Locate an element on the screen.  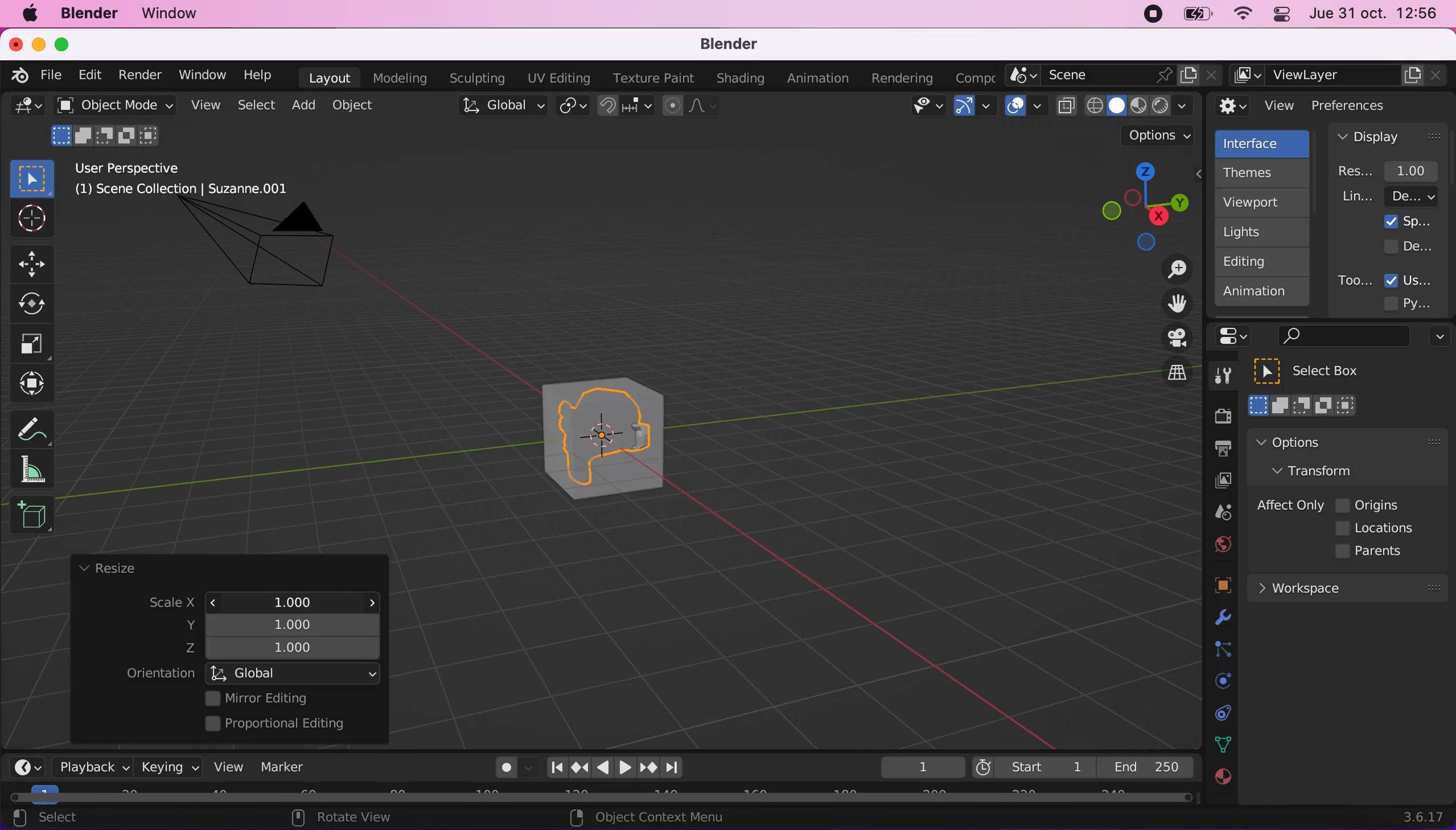
overlays is located at coordinates (1026, 107).